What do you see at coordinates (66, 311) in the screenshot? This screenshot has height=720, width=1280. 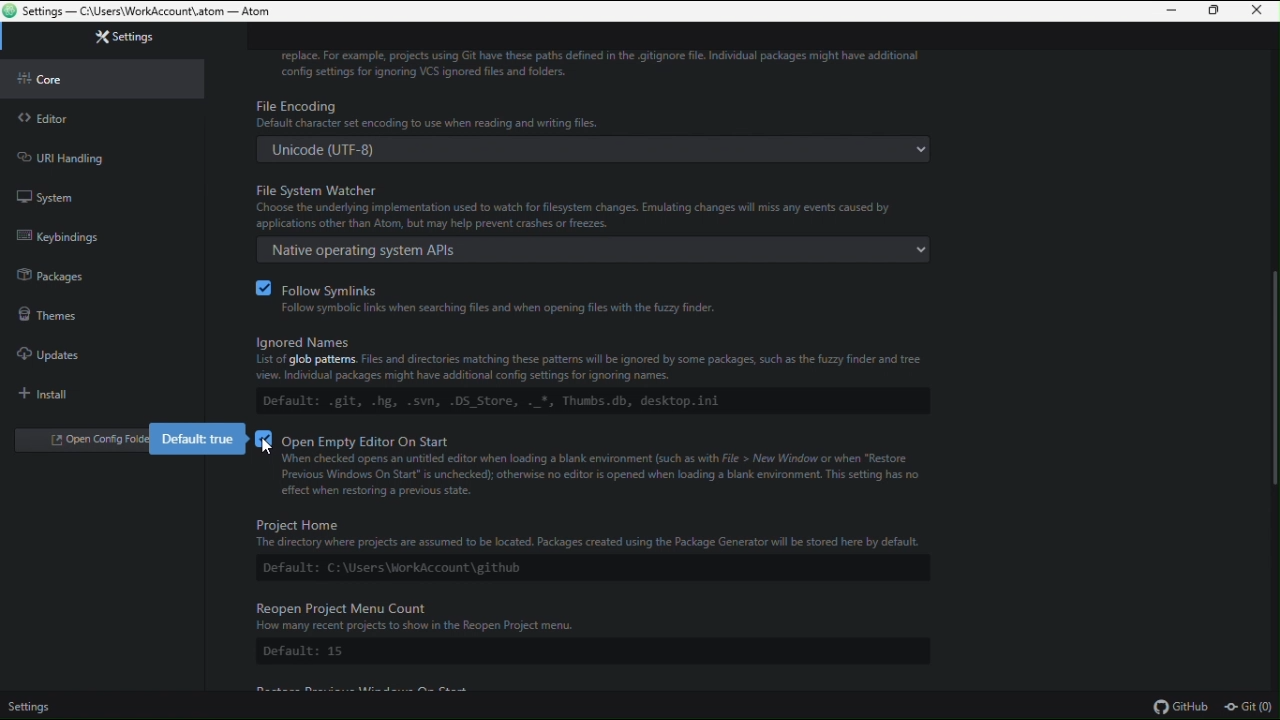 I see `themes` at bounding box center [66, 311].